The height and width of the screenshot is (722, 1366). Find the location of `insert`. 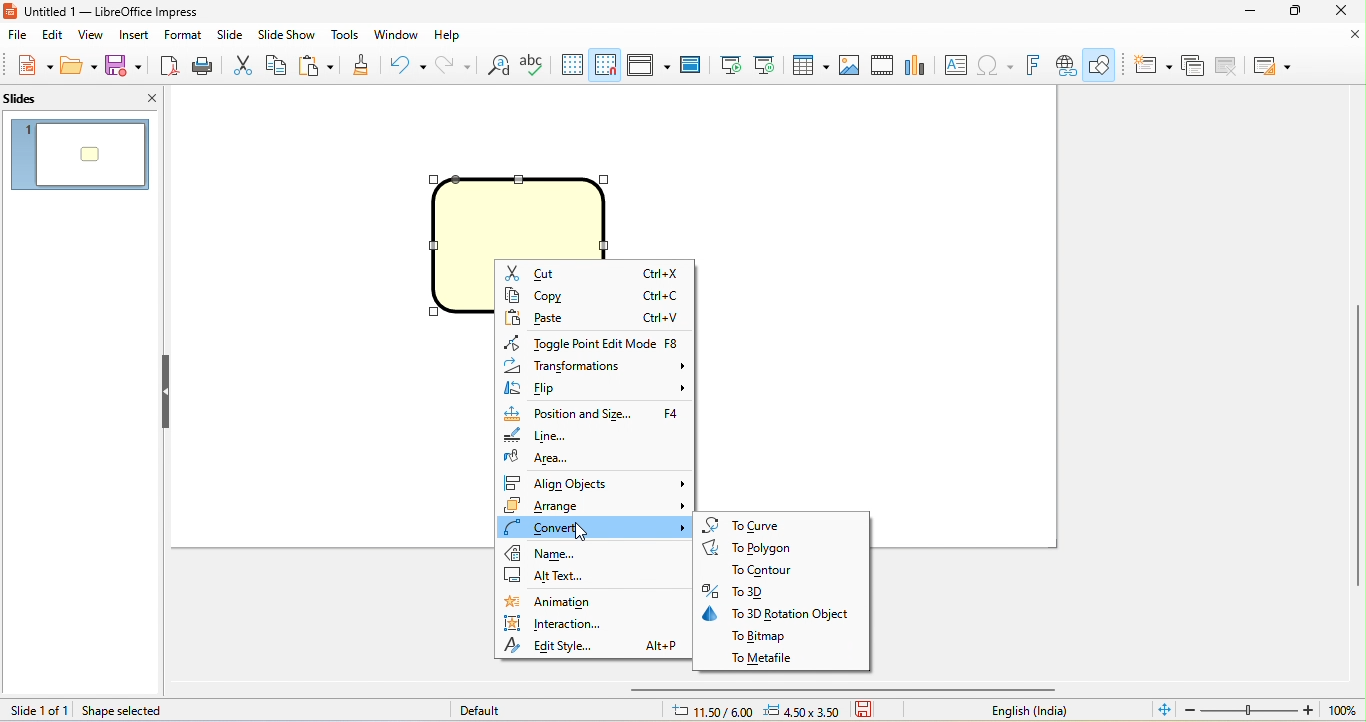

insert is located at coordinates (137, 35).